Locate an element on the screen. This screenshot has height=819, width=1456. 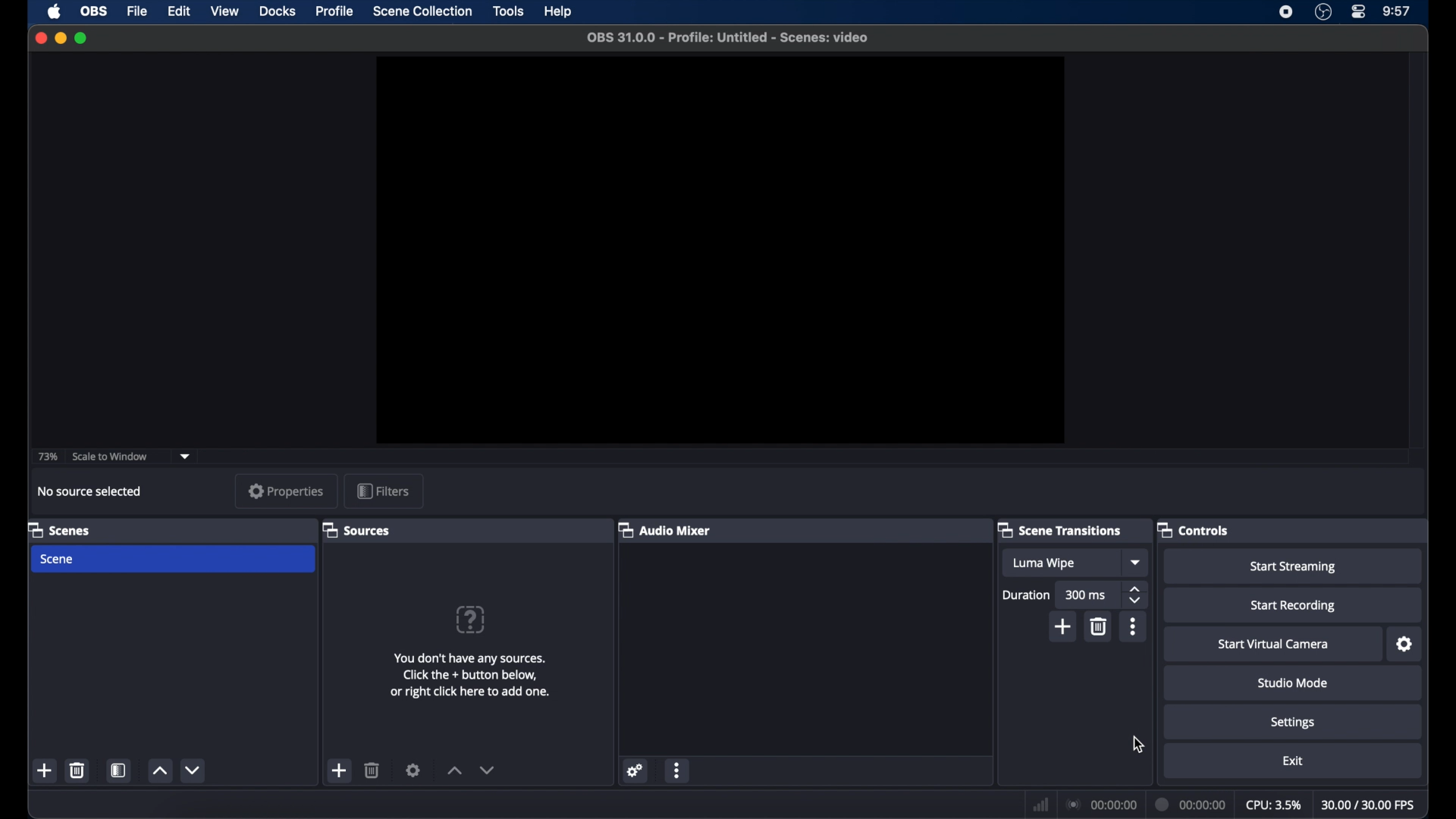
maximize is located at coordinates (60, 38).